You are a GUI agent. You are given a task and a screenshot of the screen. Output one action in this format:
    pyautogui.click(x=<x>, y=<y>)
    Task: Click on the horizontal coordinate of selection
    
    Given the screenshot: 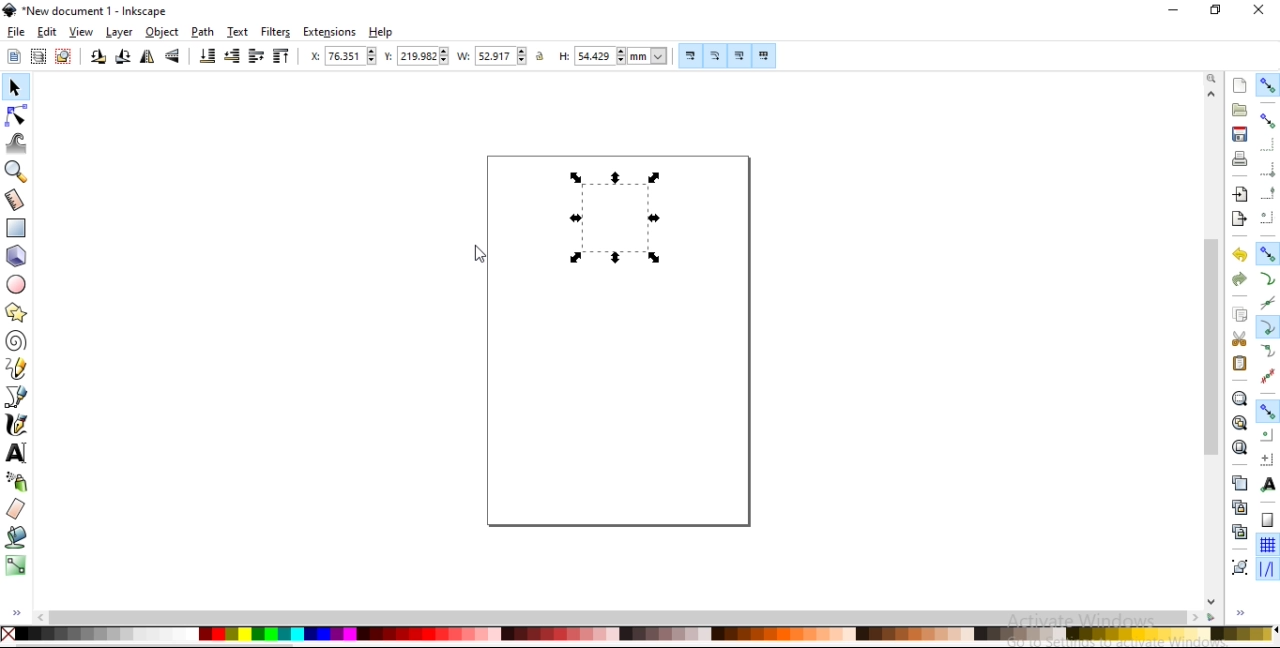 What is the action you would take?
    pyautogui.click(x=342, y=57)
    